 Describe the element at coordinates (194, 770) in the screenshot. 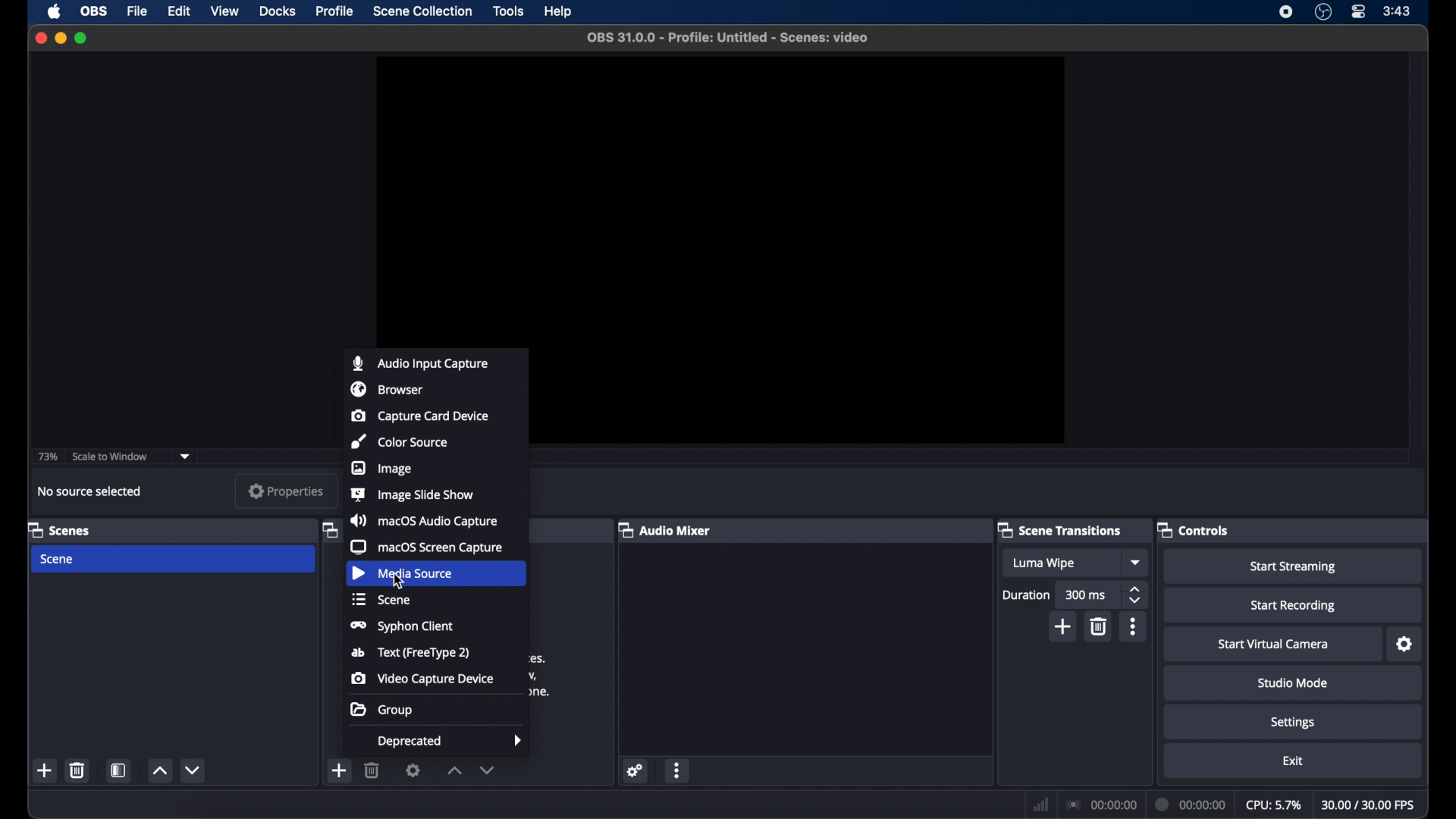

I see `decrement` at that location.